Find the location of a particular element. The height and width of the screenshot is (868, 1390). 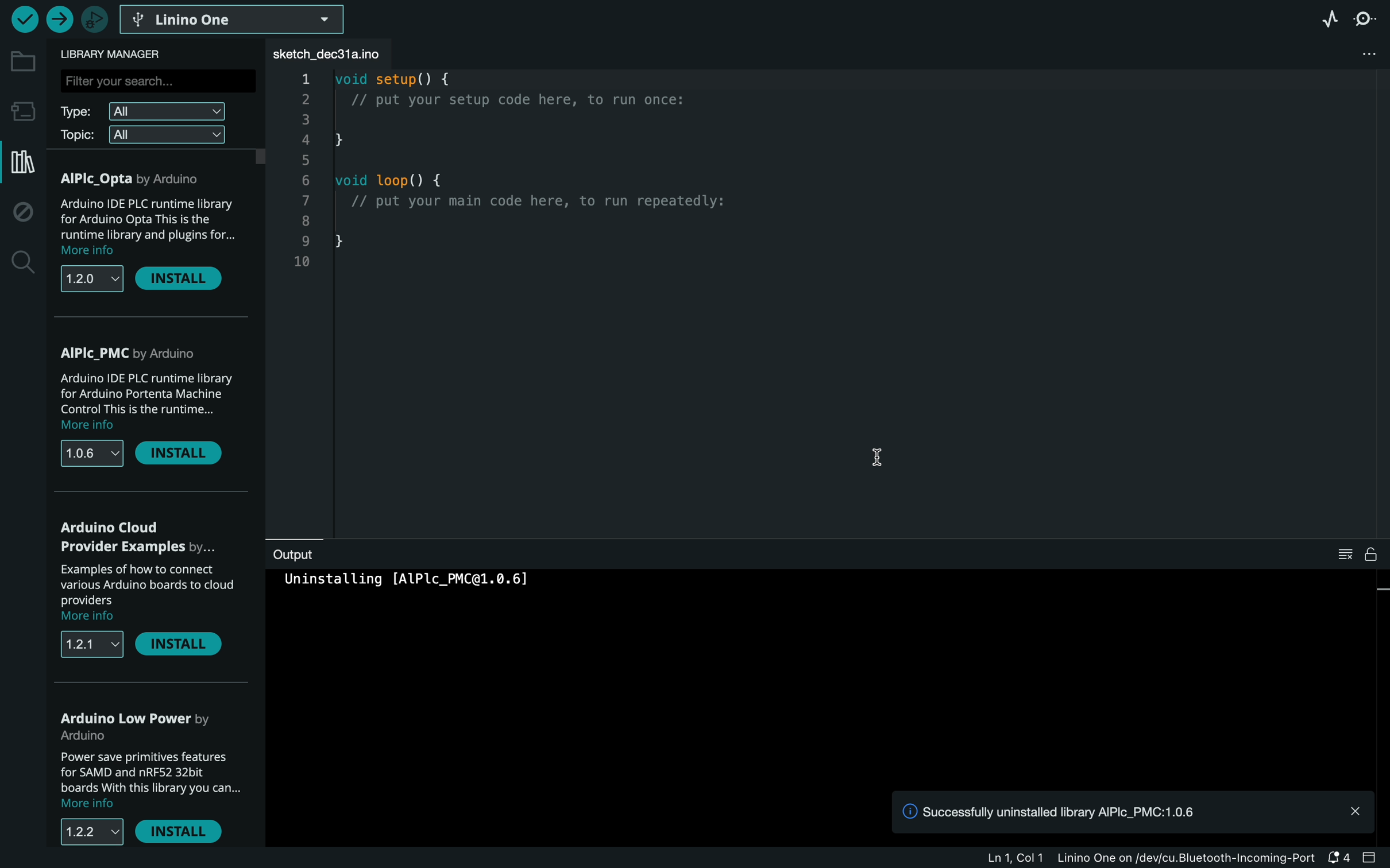

AlPlc Opta is located at coordinates (140, 180).